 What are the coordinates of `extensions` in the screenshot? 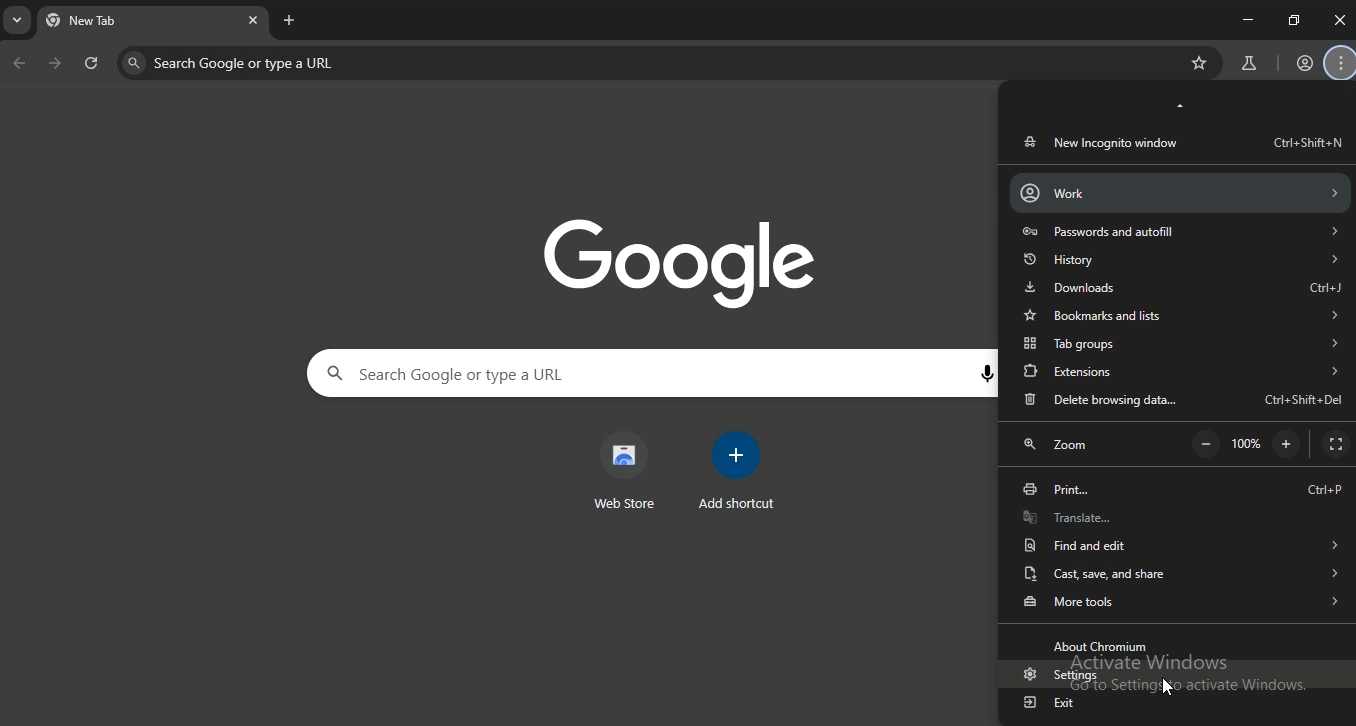 It's located at (1182, 370).